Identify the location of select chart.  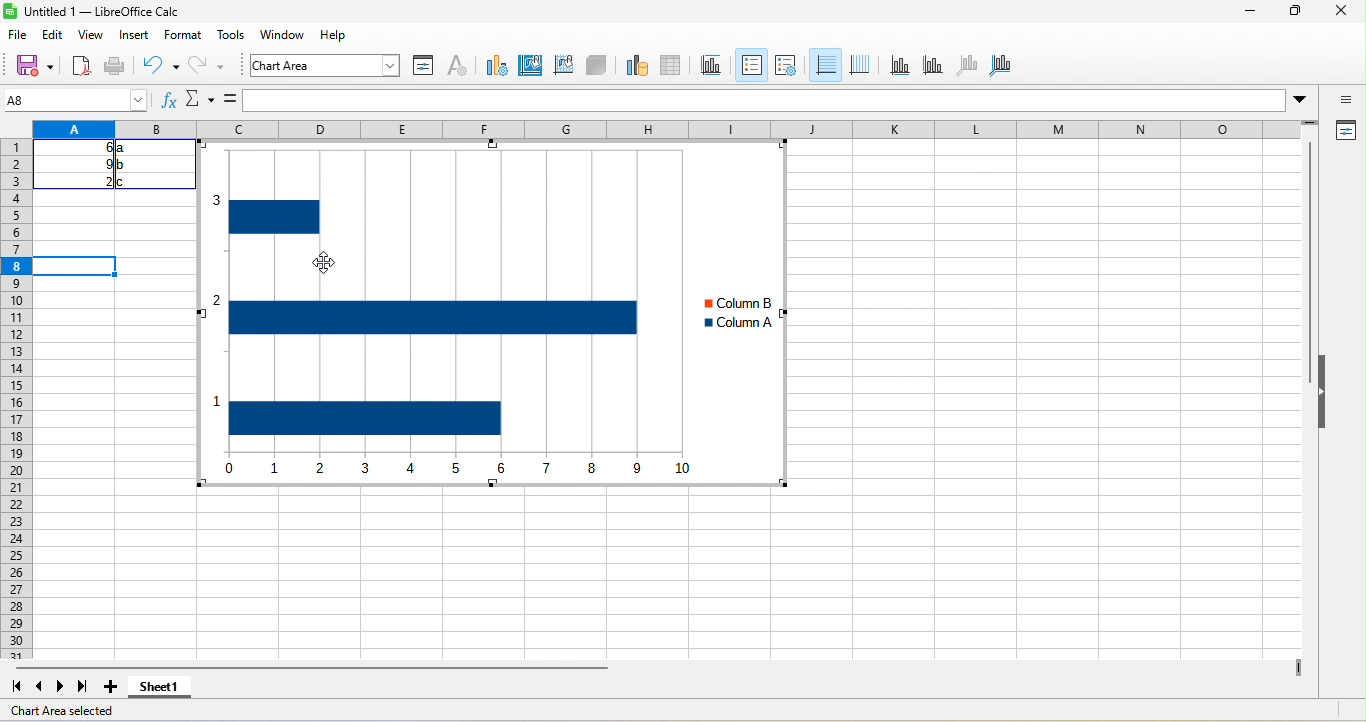
(496, 67).